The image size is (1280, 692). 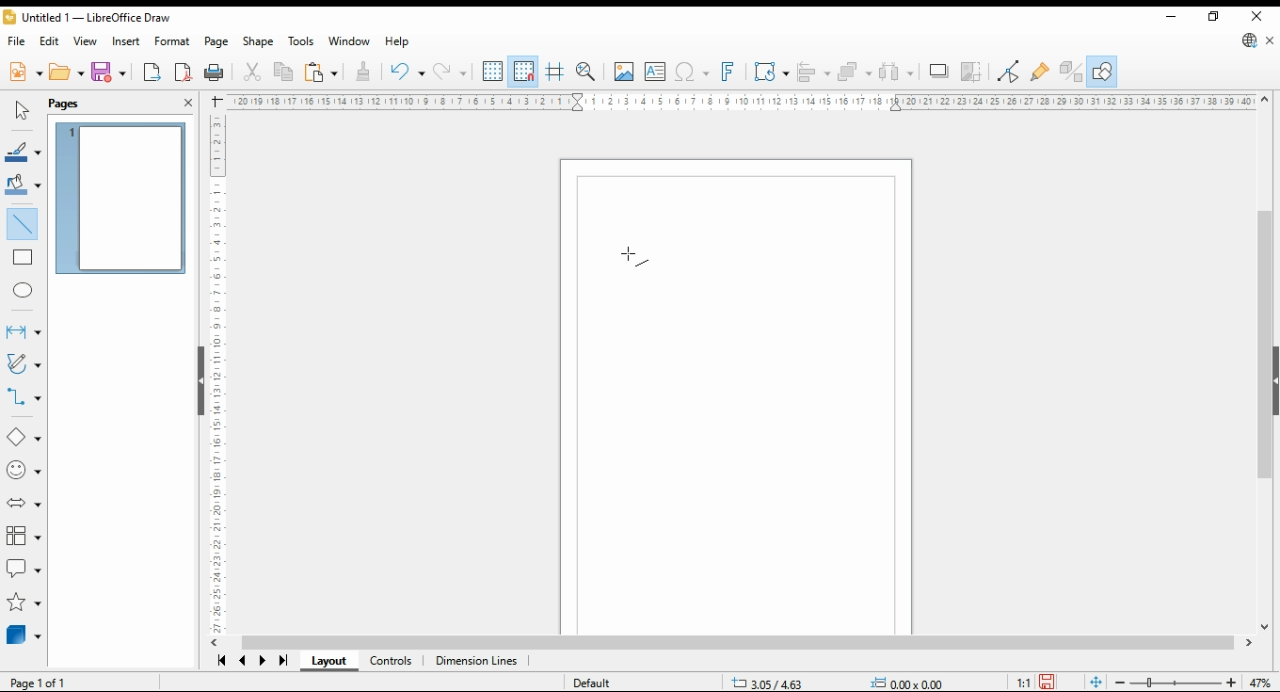 What do you see at coordinates (221, 662) in the screenshot?
I see `first page` at bounding box center [221, 662].